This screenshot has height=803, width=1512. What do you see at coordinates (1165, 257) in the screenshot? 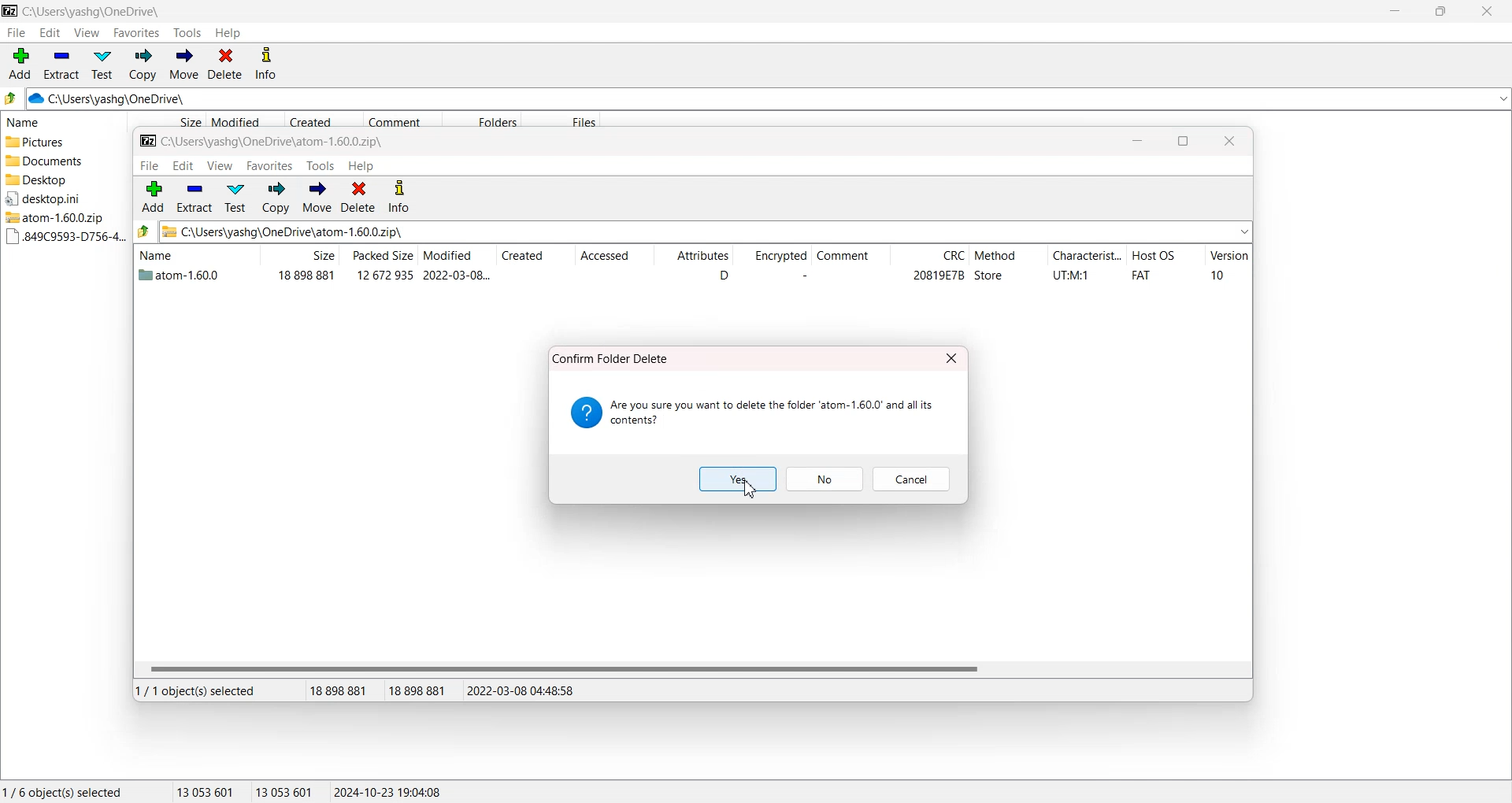
I see `Host OS` at bounding box center [1165, 257].